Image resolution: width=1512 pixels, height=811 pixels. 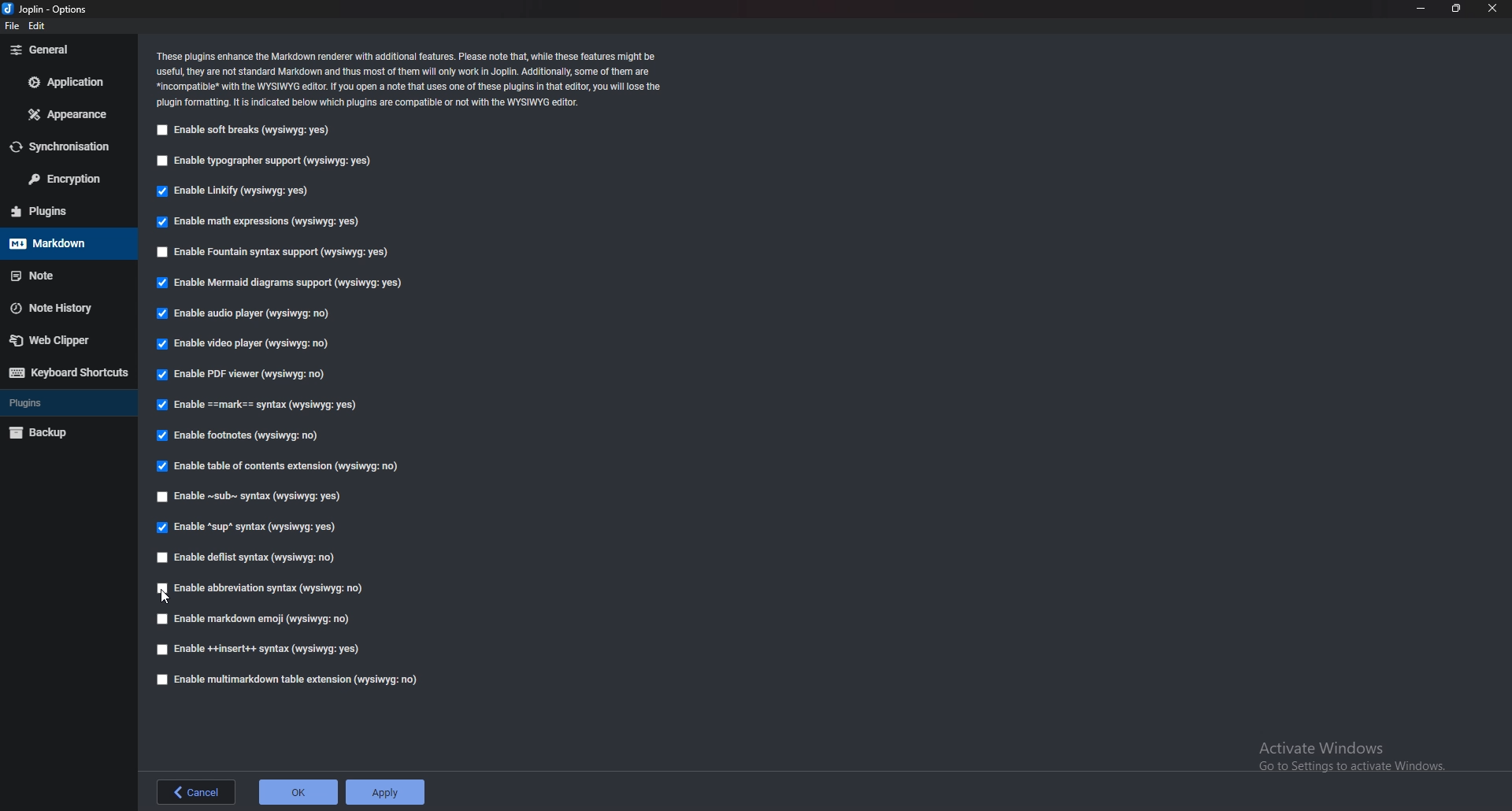 What do you see at coordinates (275, 251) in the screenshot?
I see `Enable Fountain syntax support (Wysiwyg: yes)` at bounding box center [275, 251].